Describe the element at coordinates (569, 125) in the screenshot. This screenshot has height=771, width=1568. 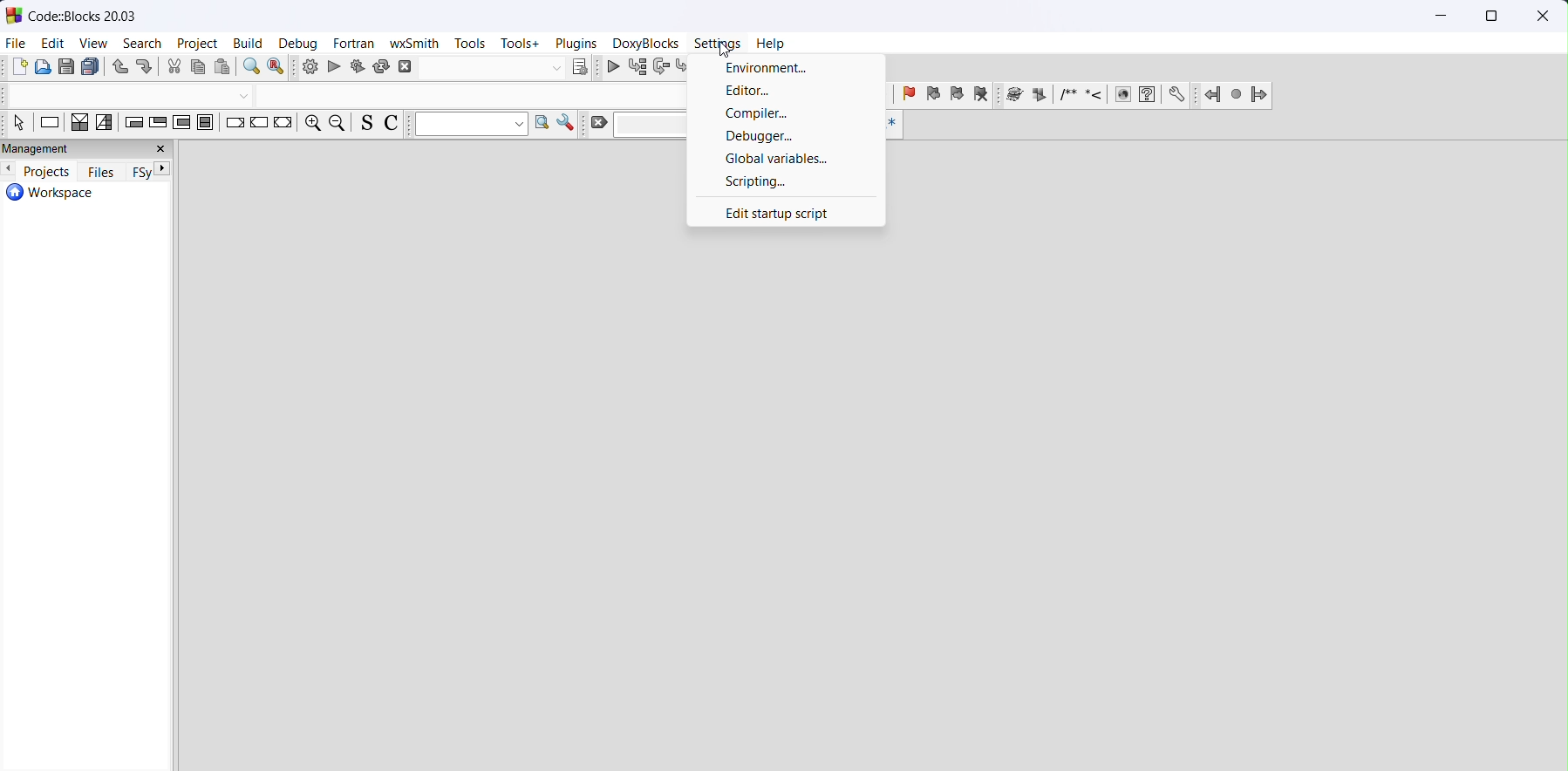
I see `show option window` at that location.